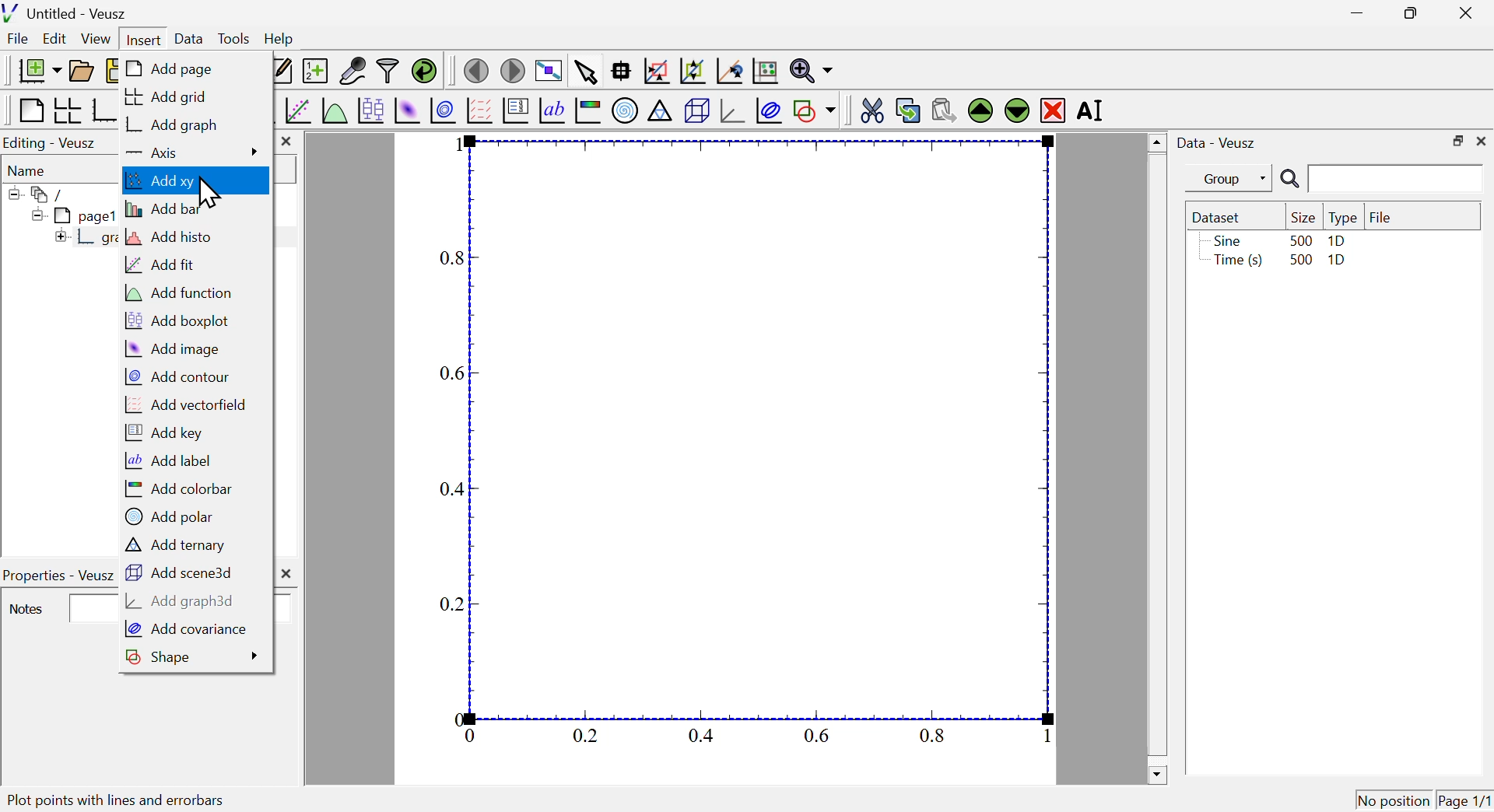  I want to click on add function, so click(172, 294).